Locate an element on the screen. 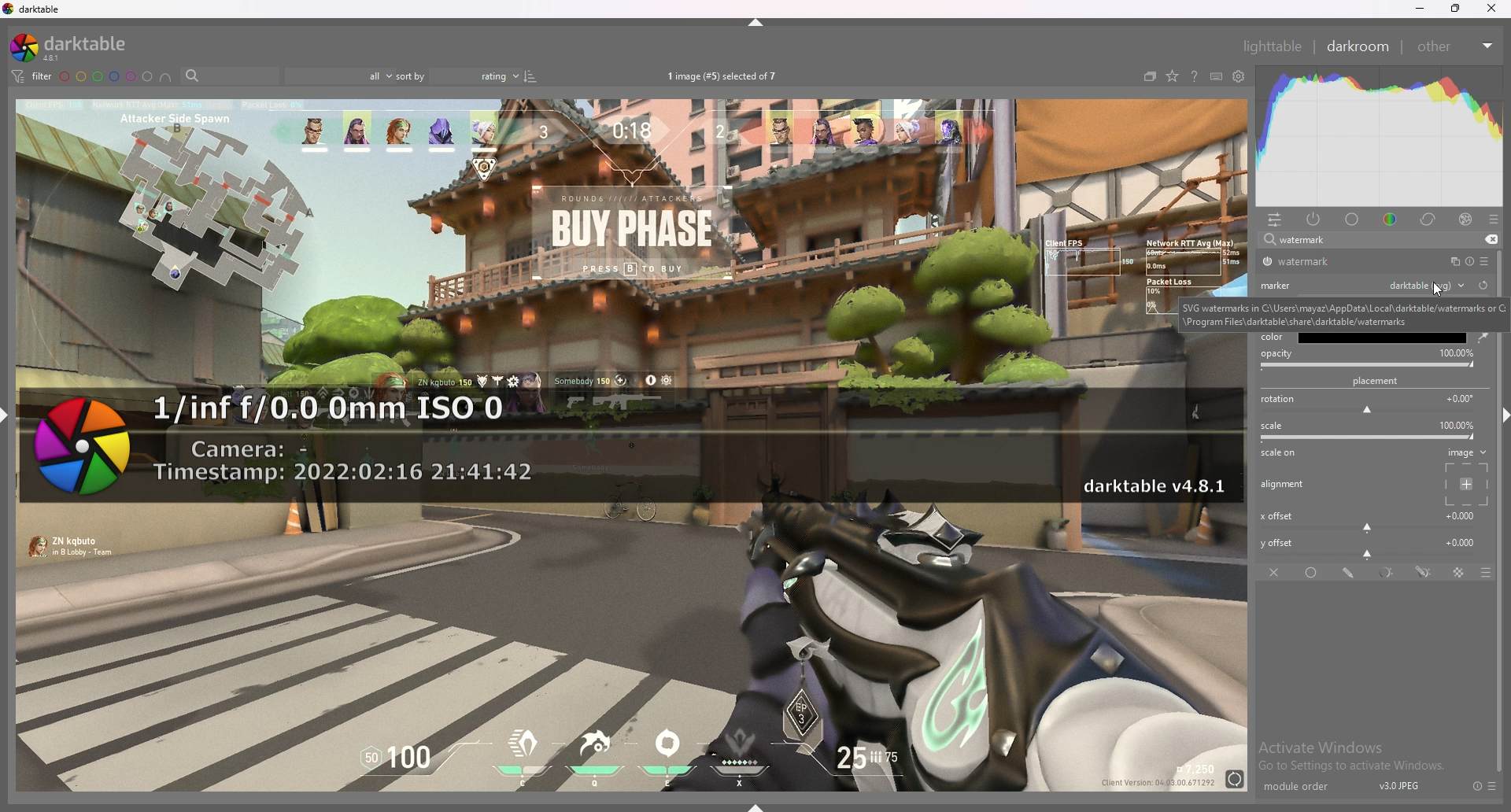 This screenshot has width=1511, height=812. base is located at coordinates (1353, 220).